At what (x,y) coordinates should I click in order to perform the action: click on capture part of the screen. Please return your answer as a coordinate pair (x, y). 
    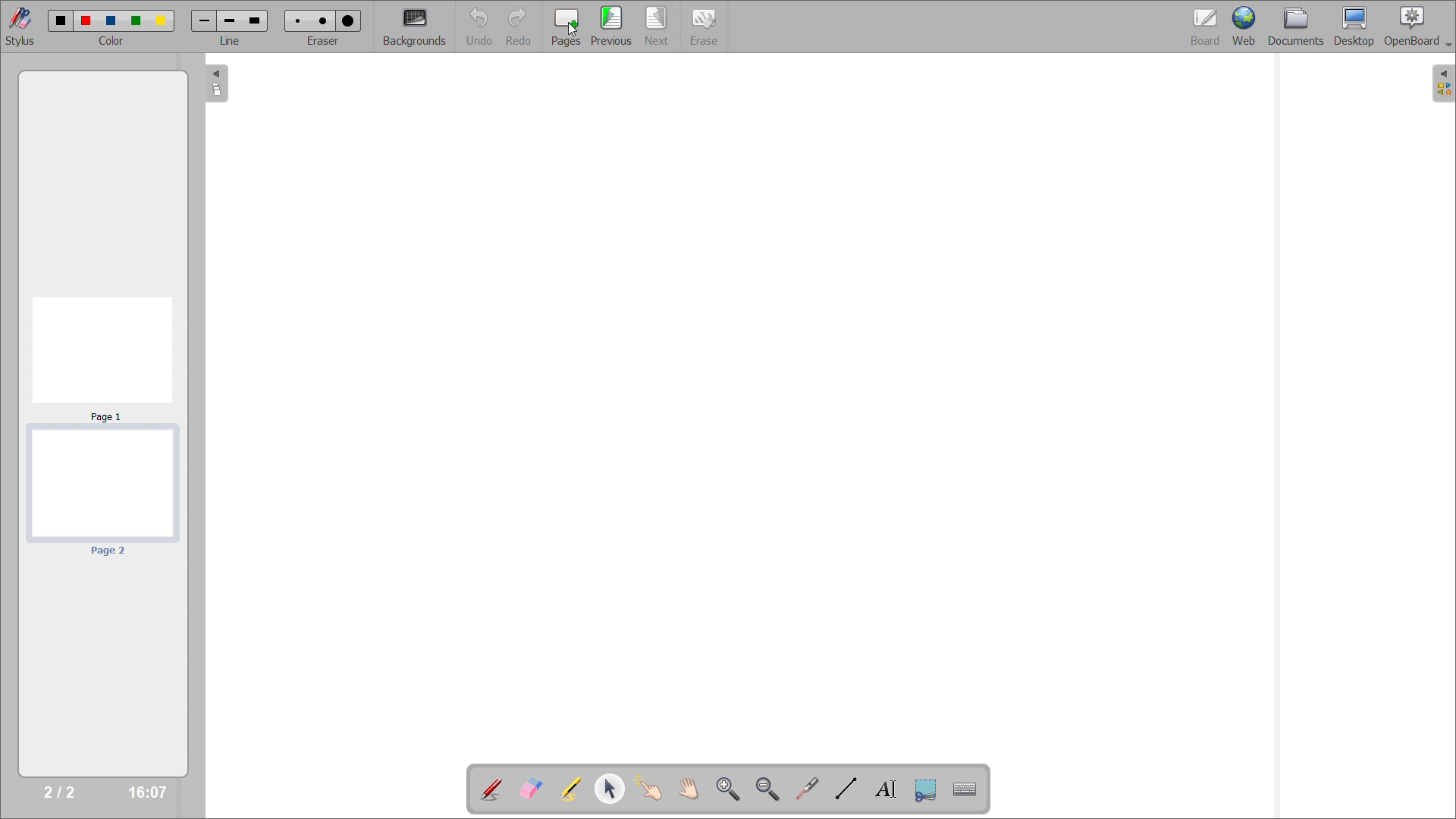
    Looking at the image, I should click on (927, 789).